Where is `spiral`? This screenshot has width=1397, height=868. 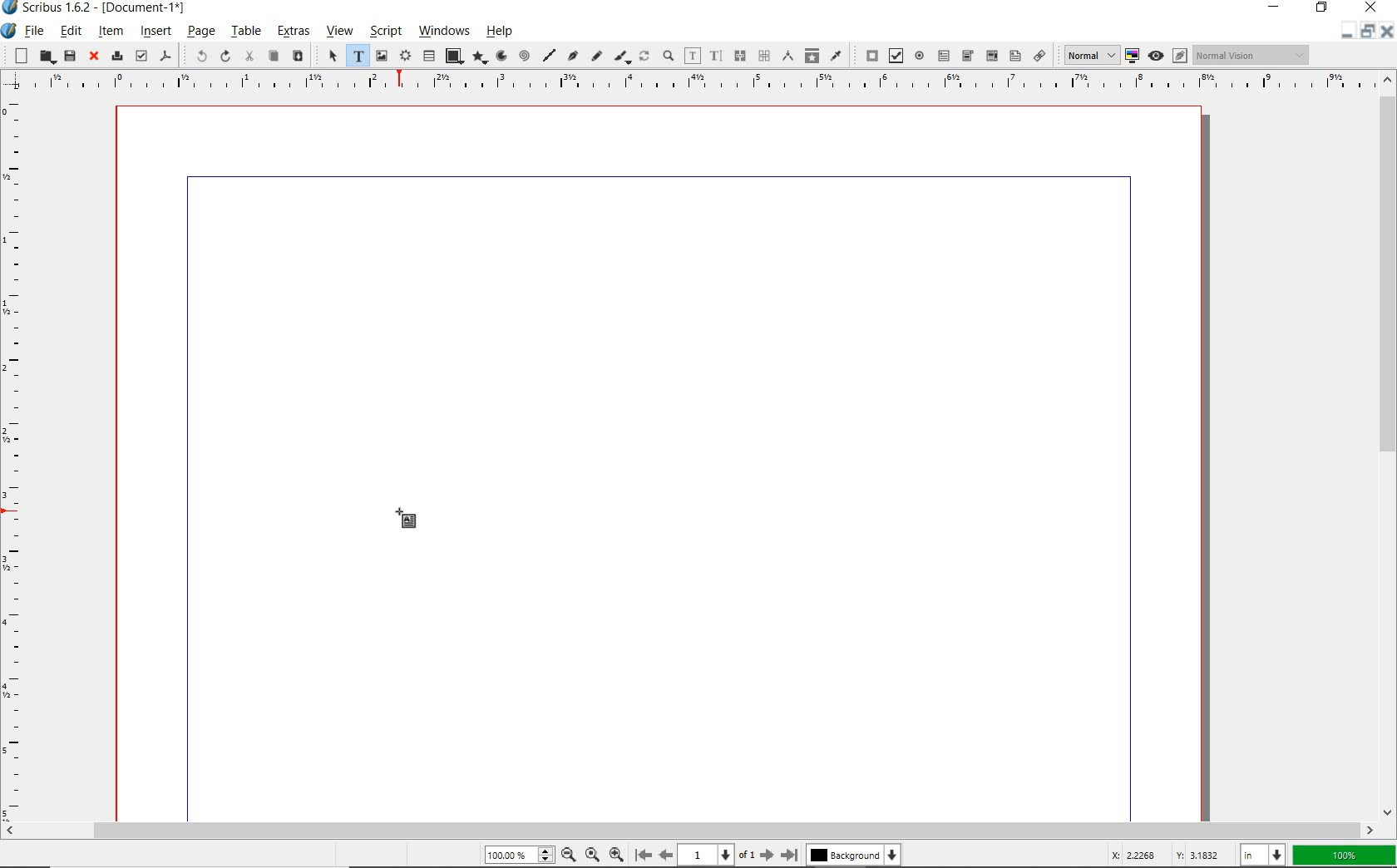
spiral is located at coordinates (524, 57).